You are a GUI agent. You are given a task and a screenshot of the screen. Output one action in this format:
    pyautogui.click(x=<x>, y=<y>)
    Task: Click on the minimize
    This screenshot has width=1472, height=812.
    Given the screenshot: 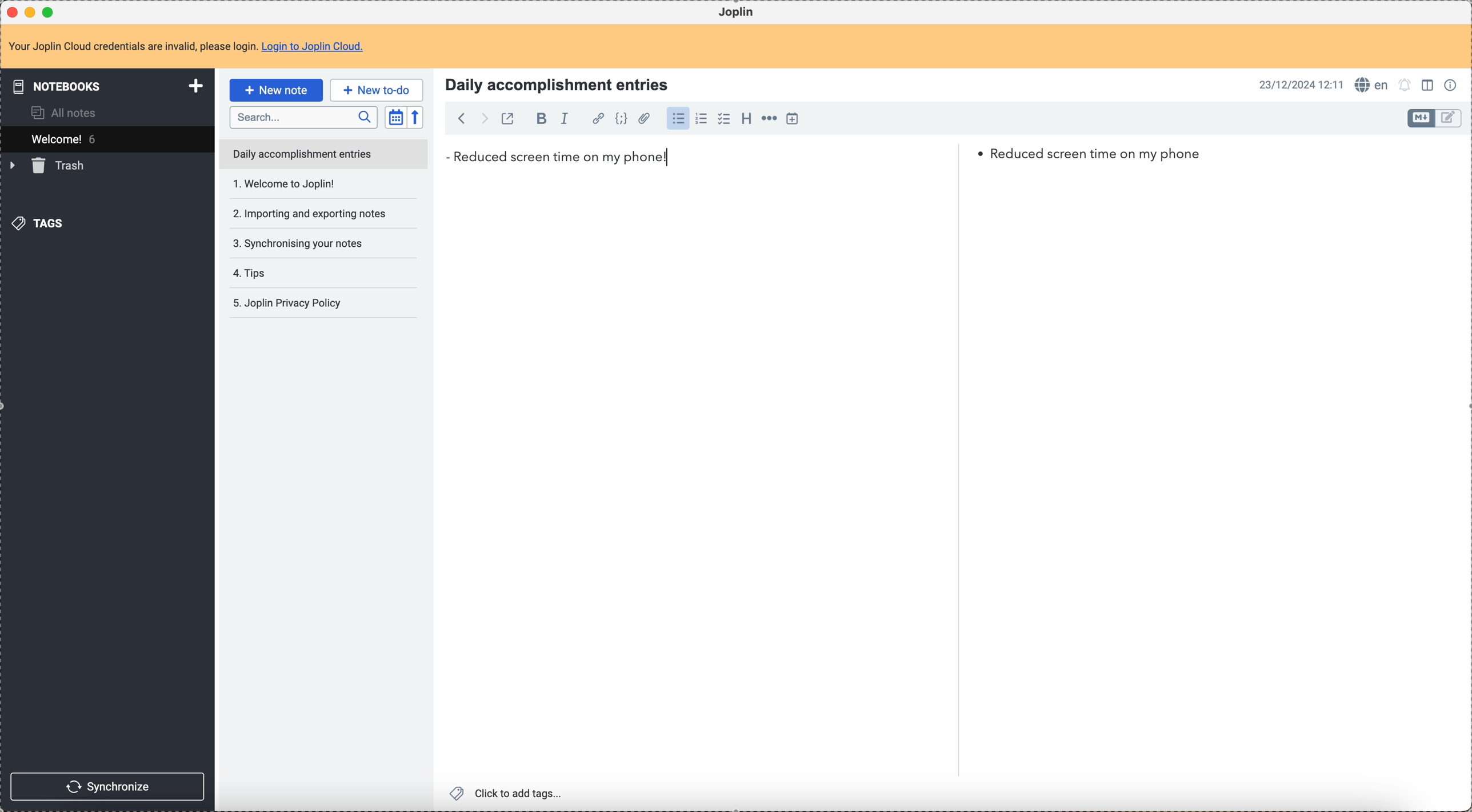 What is the action you would take?
    pyautogui.click(x=33, y=11)
    